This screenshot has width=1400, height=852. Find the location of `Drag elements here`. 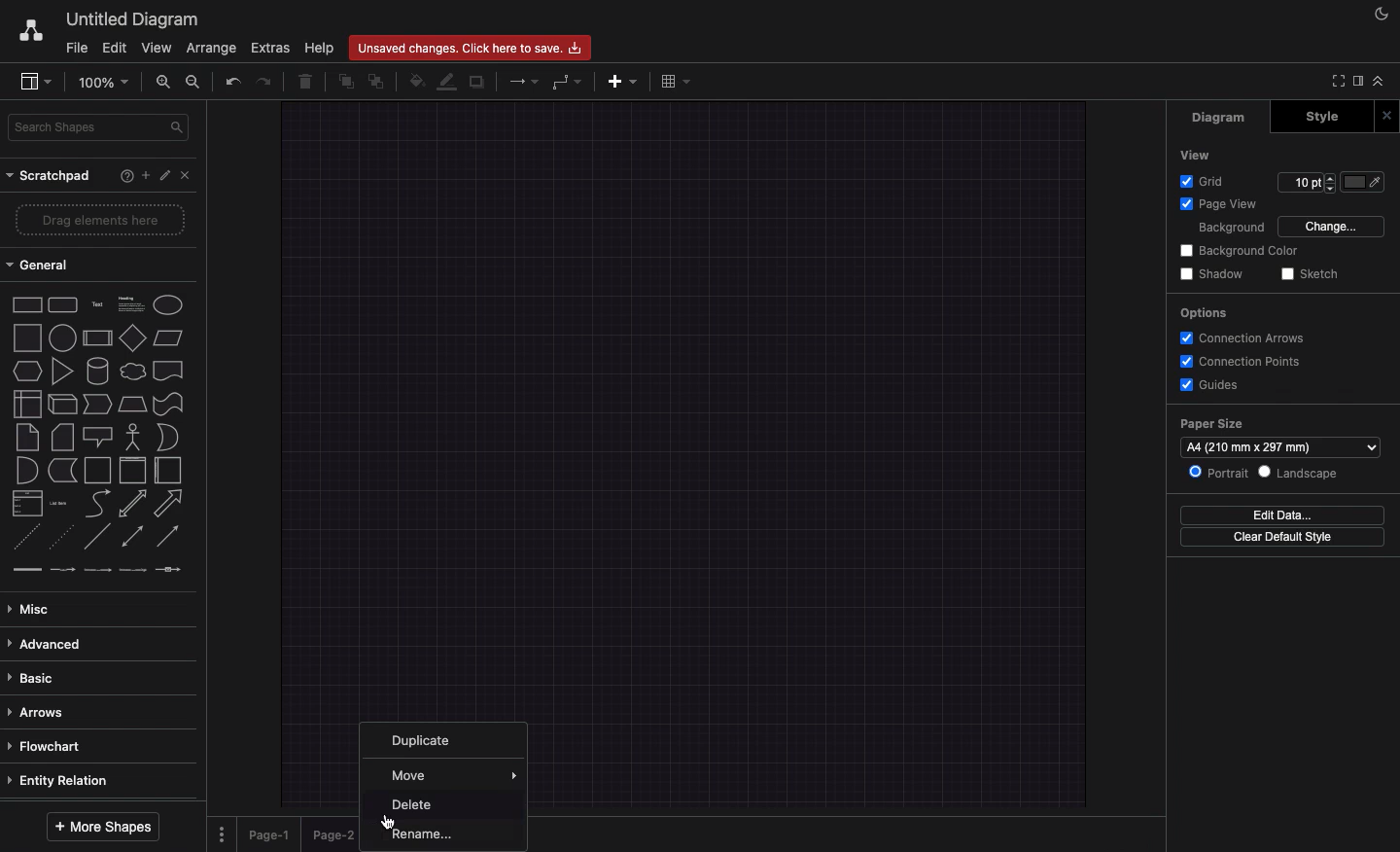

Drag elements here is located at coordinates (100, 217).